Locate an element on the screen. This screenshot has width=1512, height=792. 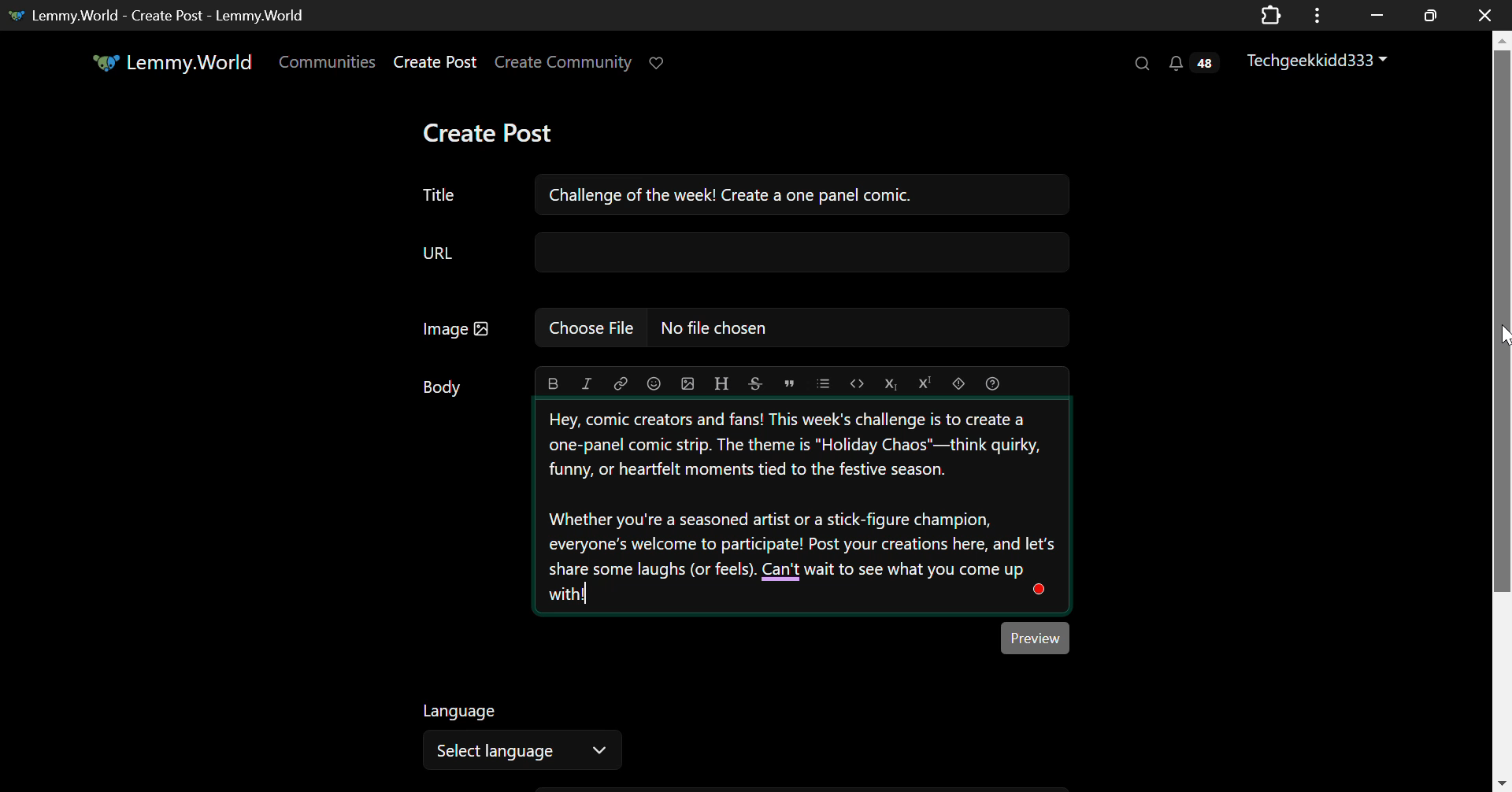
quote is located at coordinates (789, 383).